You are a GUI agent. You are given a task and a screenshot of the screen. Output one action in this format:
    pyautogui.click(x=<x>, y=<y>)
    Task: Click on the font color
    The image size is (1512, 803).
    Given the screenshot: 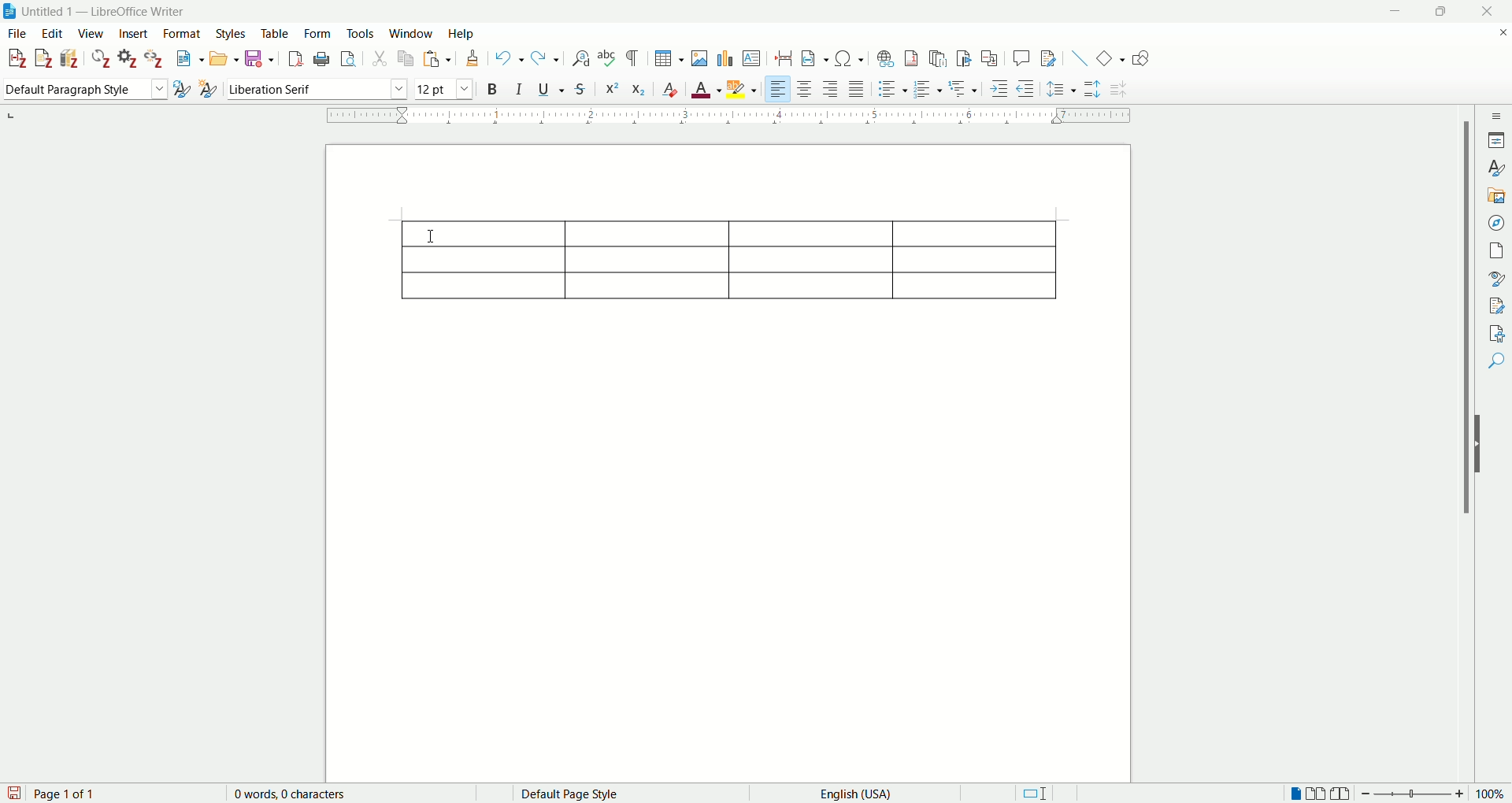 What is the action you would take?
    pyautogui.click(x=706, y=88)
    